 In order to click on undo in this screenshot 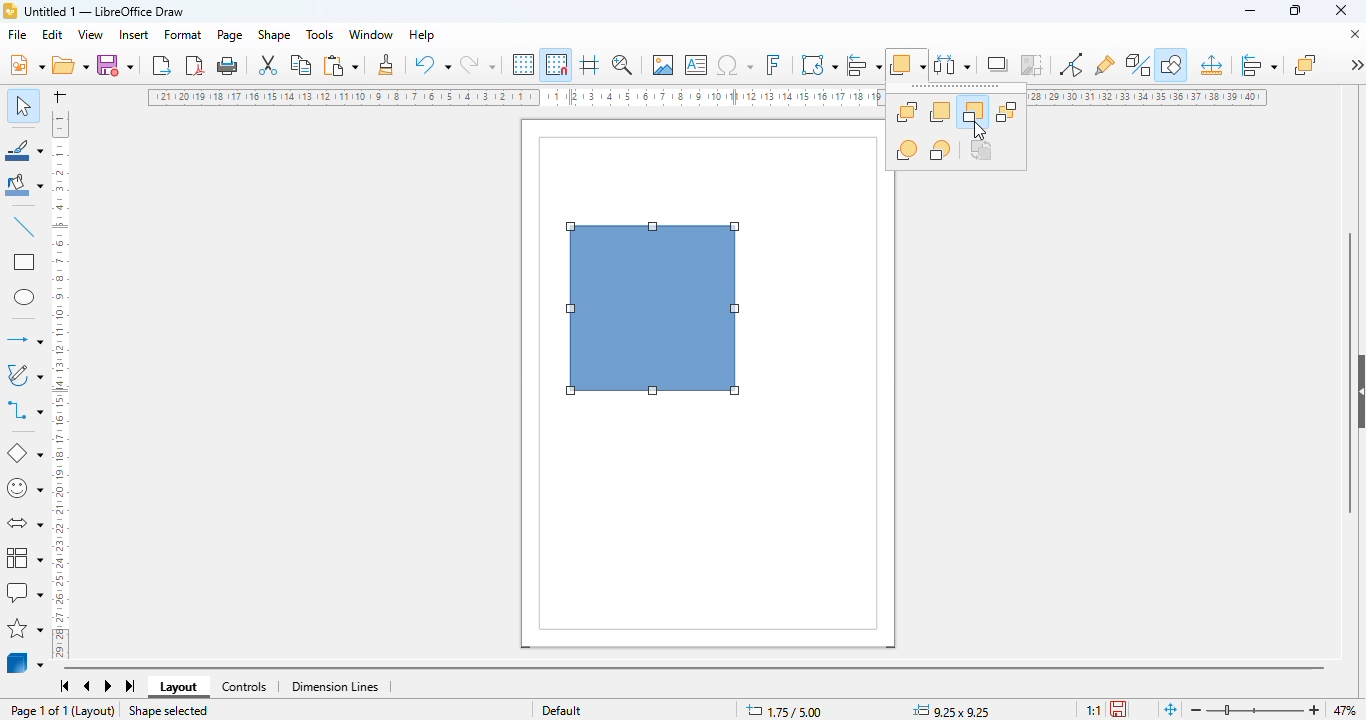, I will do `click(433, 64)`.